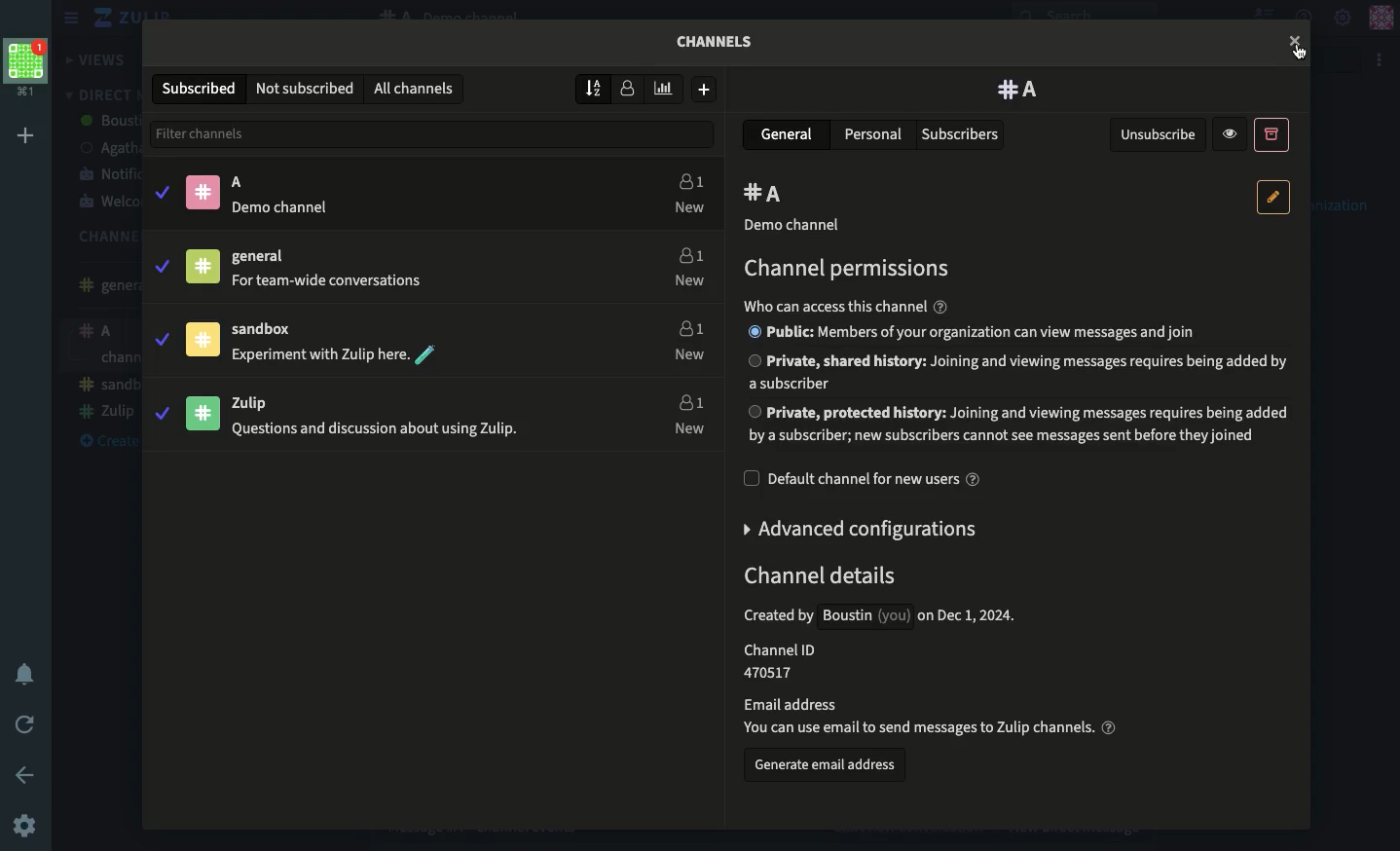 The width and height of the screenshot is (1400, 851). Describe the element at coordinates (108, 203) in the screenshot. I see `Welcome bot` at that location.